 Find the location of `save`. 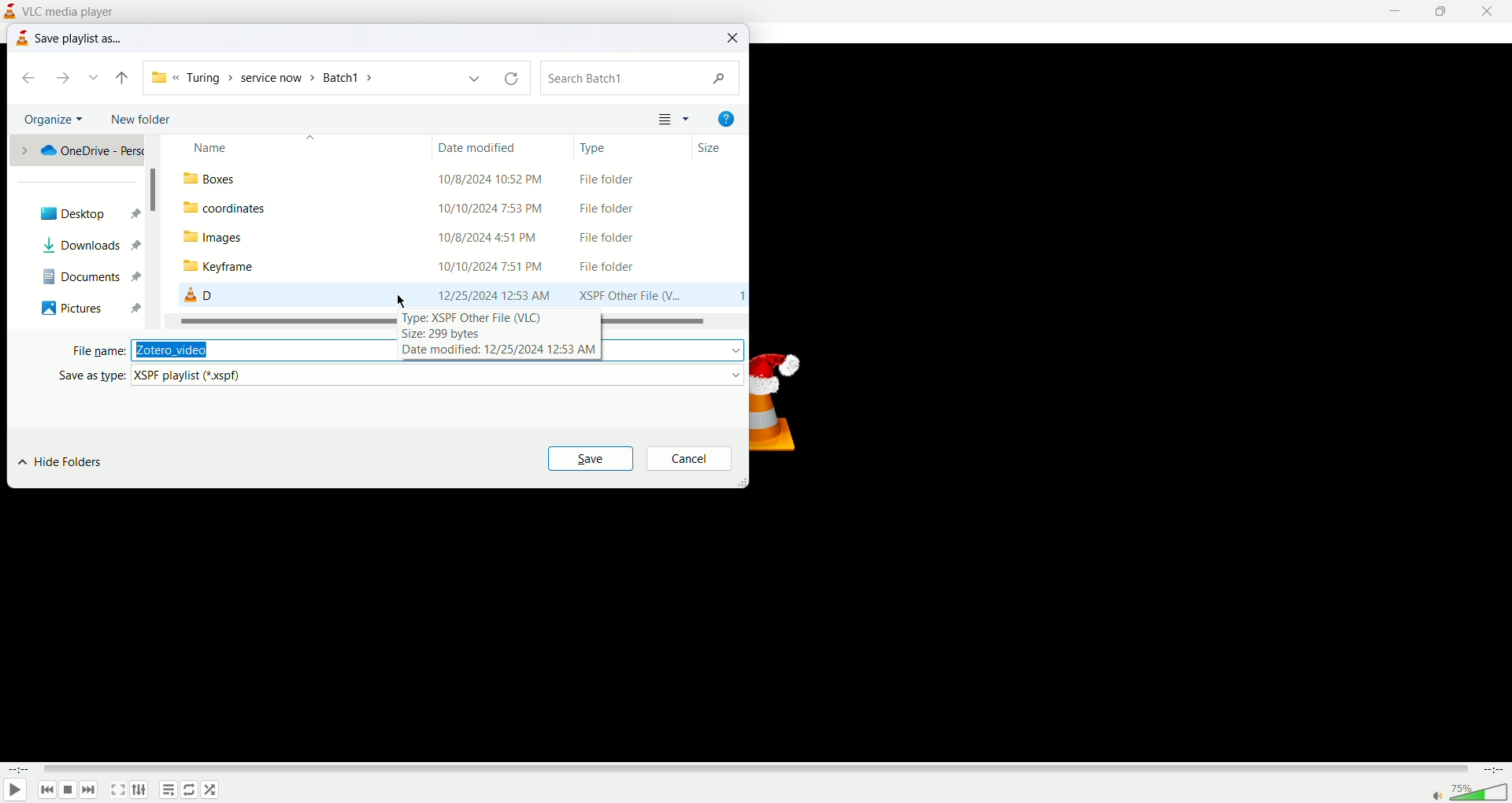

save is located at coordinates (591, 457).